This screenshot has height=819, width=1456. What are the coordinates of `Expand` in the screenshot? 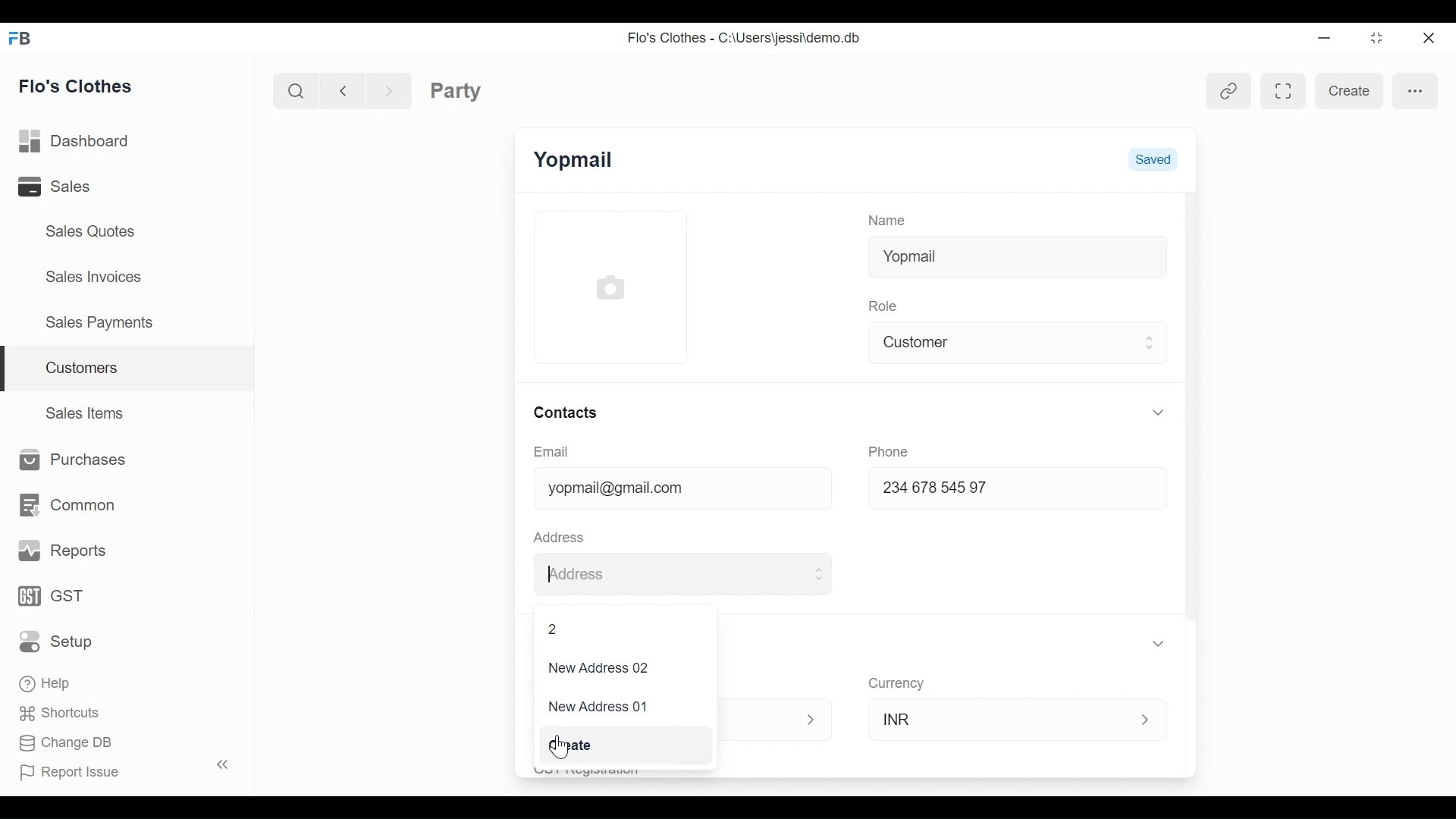 It's located at (821, 576).